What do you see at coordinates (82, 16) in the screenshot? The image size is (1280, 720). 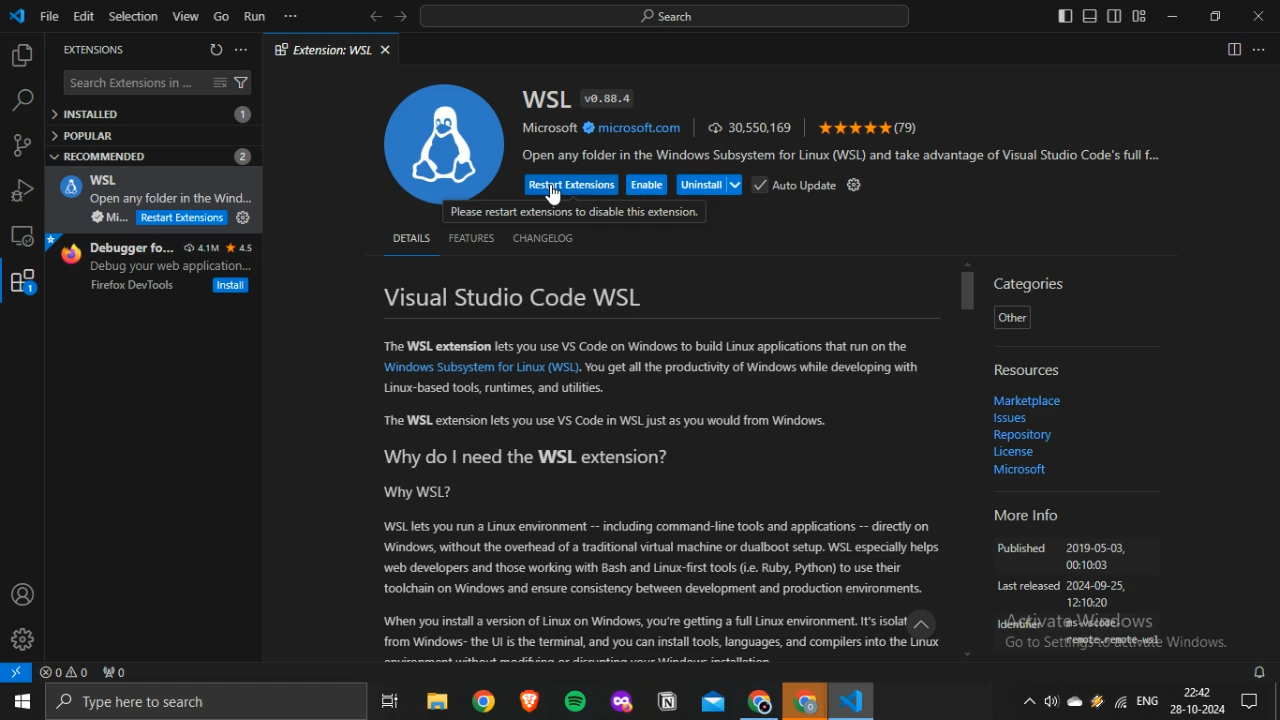 I see `Edit` at bounding box center [82, 16].